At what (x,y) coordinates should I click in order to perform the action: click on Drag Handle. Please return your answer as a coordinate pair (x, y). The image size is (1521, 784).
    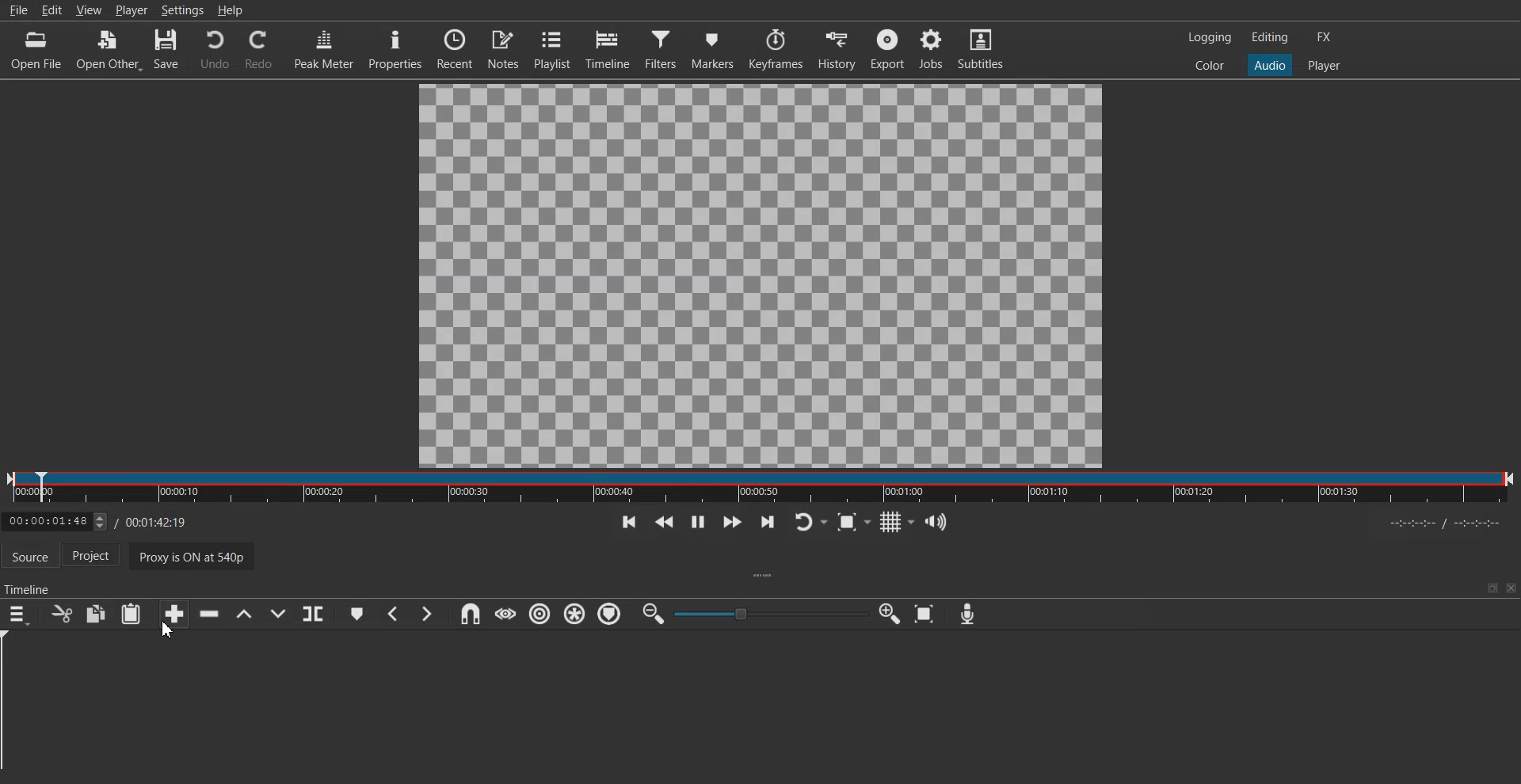
    Looking at the image, I should click on (765, 577).